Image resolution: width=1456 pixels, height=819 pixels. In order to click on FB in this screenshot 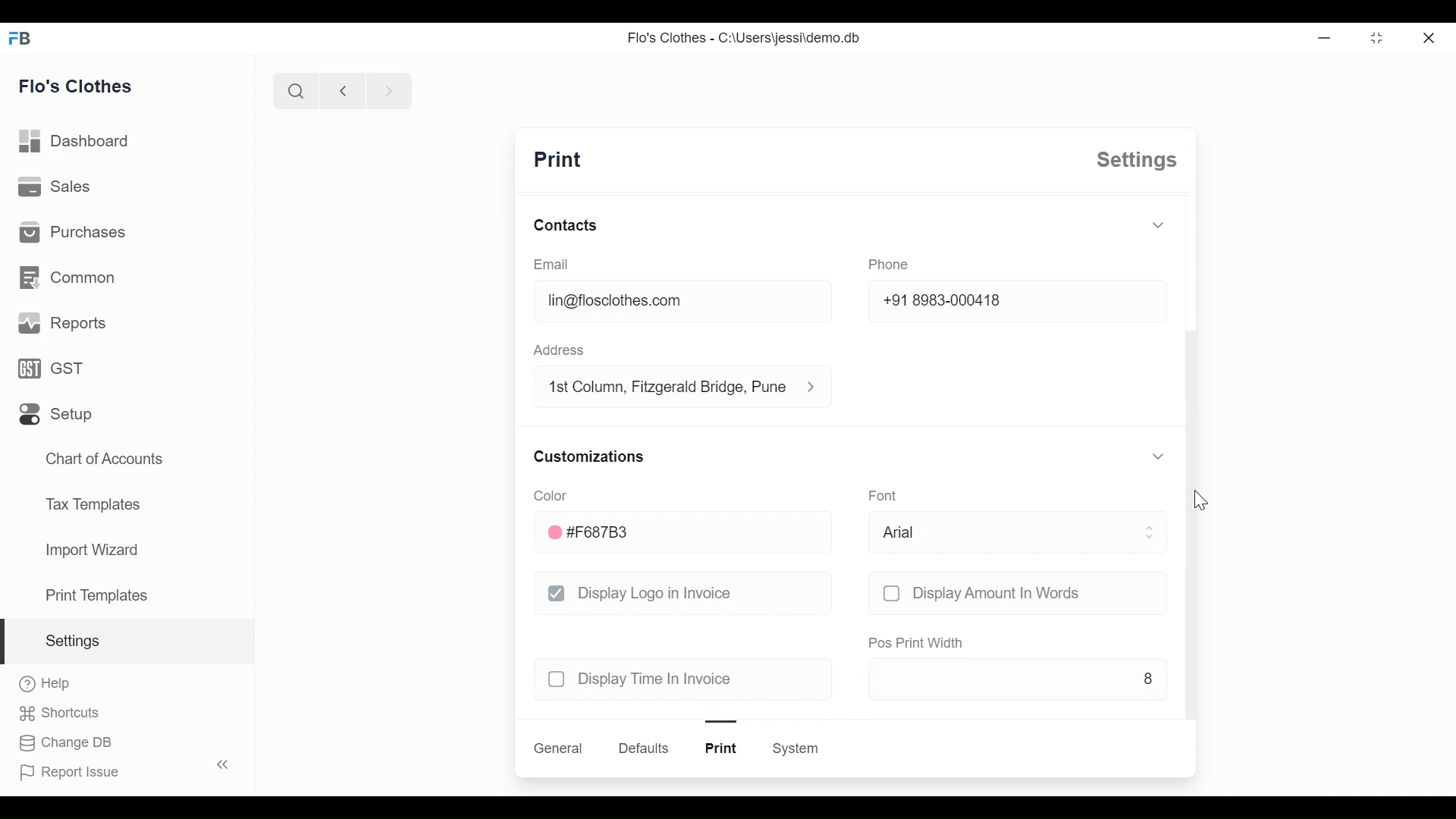, I will do `click(21, 37)`.